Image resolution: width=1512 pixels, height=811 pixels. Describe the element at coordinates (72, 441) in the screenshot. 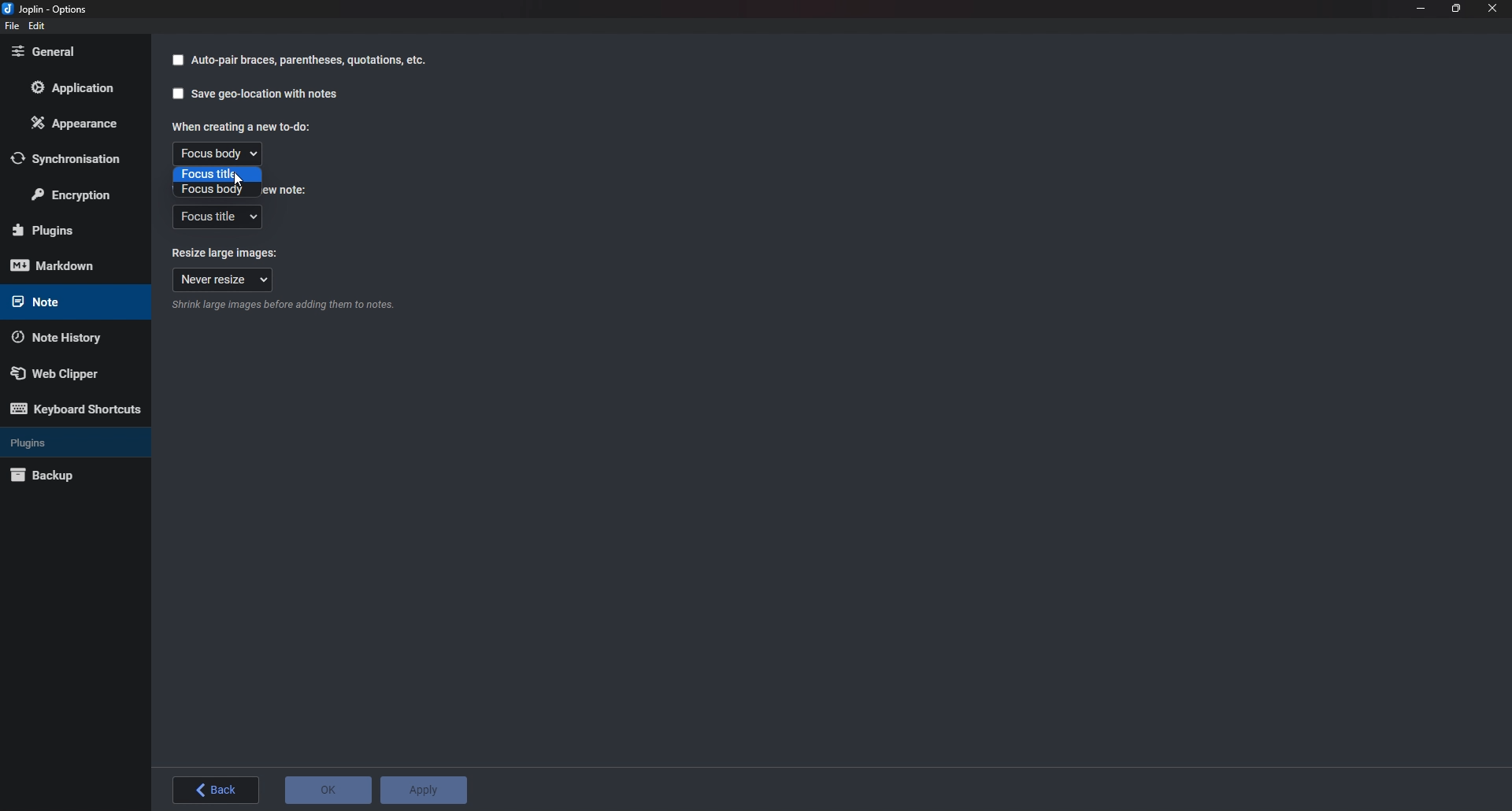

I see `Plugins` at that location.